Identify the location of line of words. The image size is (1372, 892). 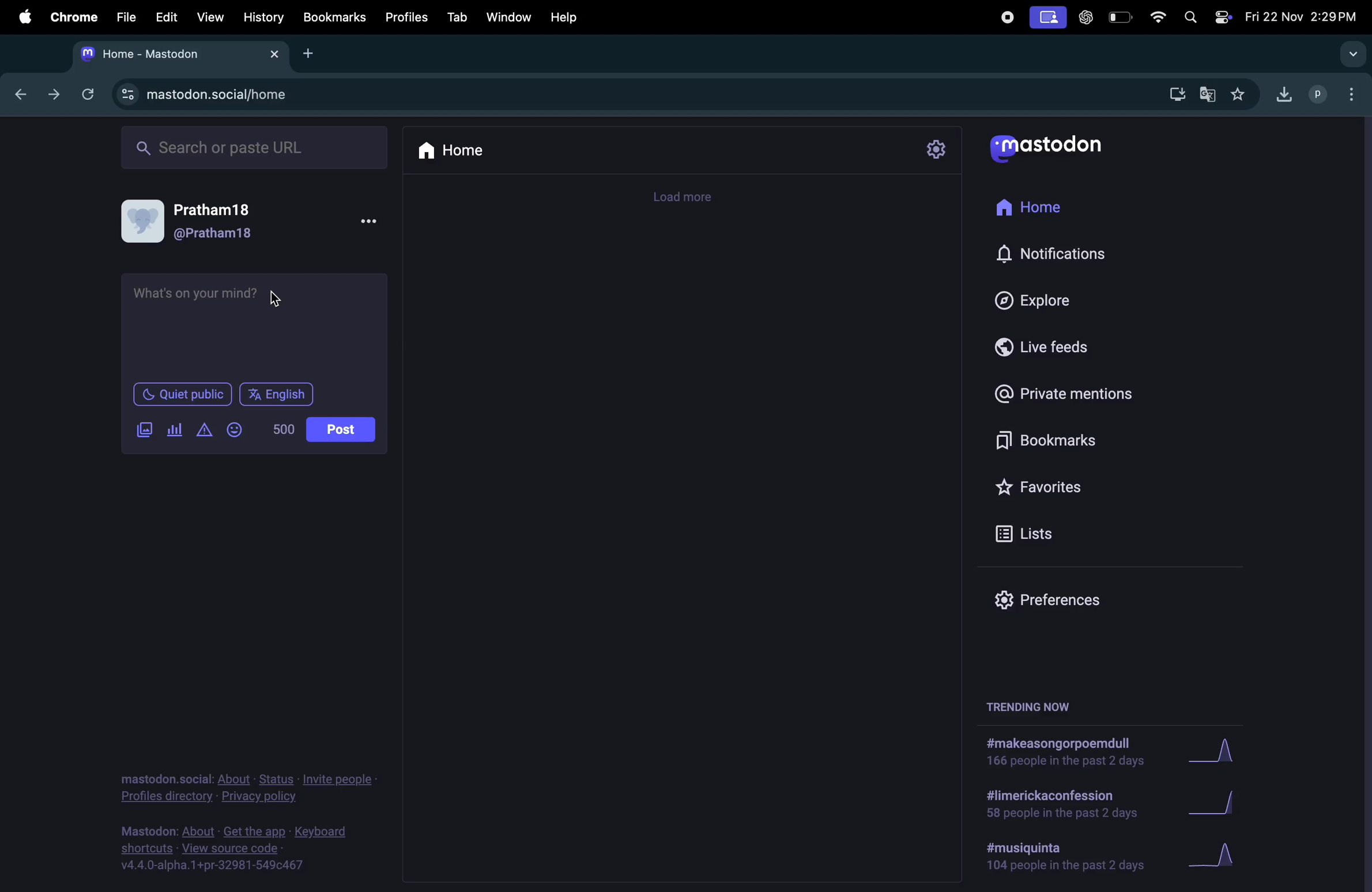
(281, 430).